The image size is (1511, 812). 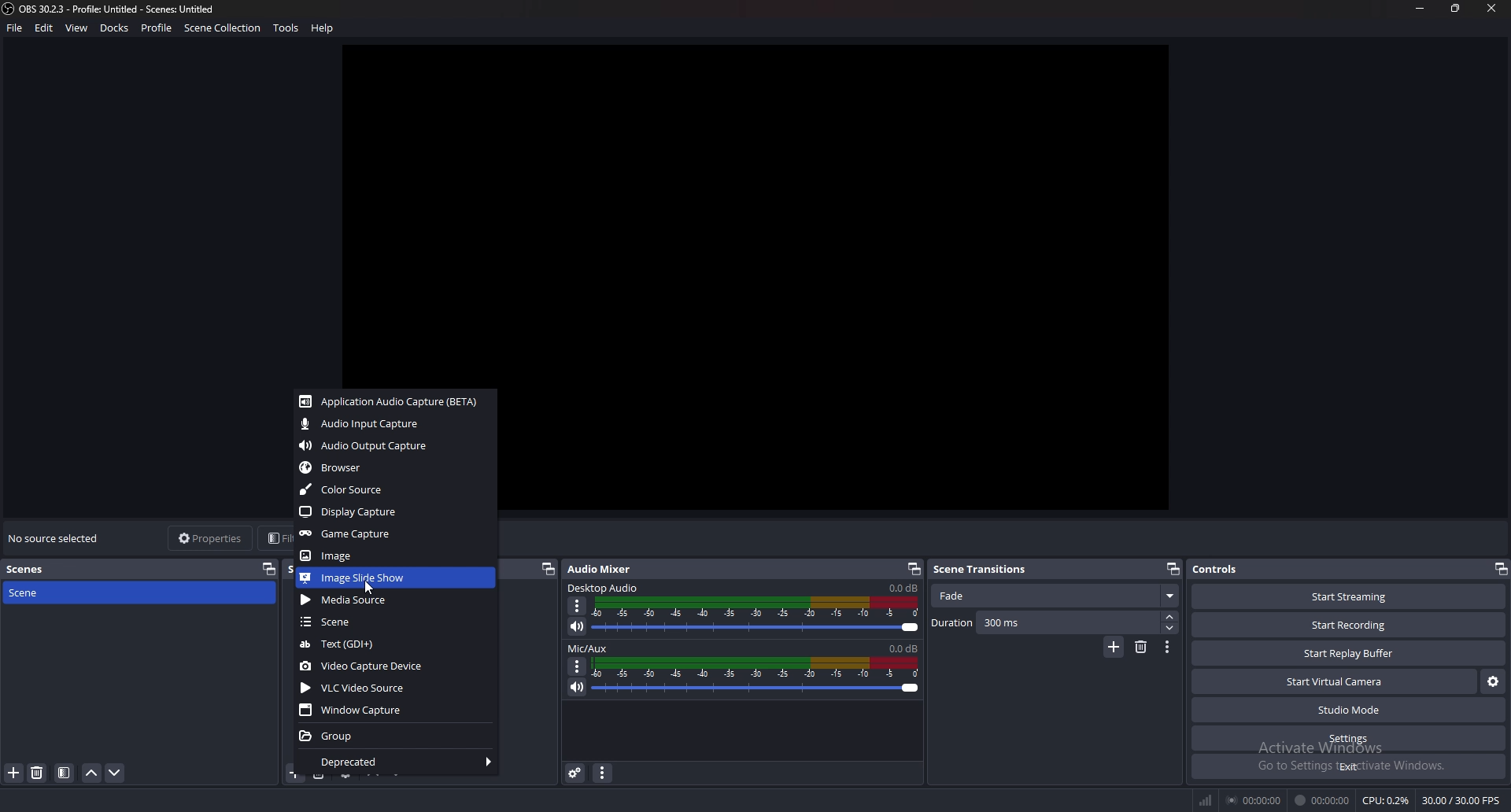 I want to click on move scene down, so click(x=115, y=773).